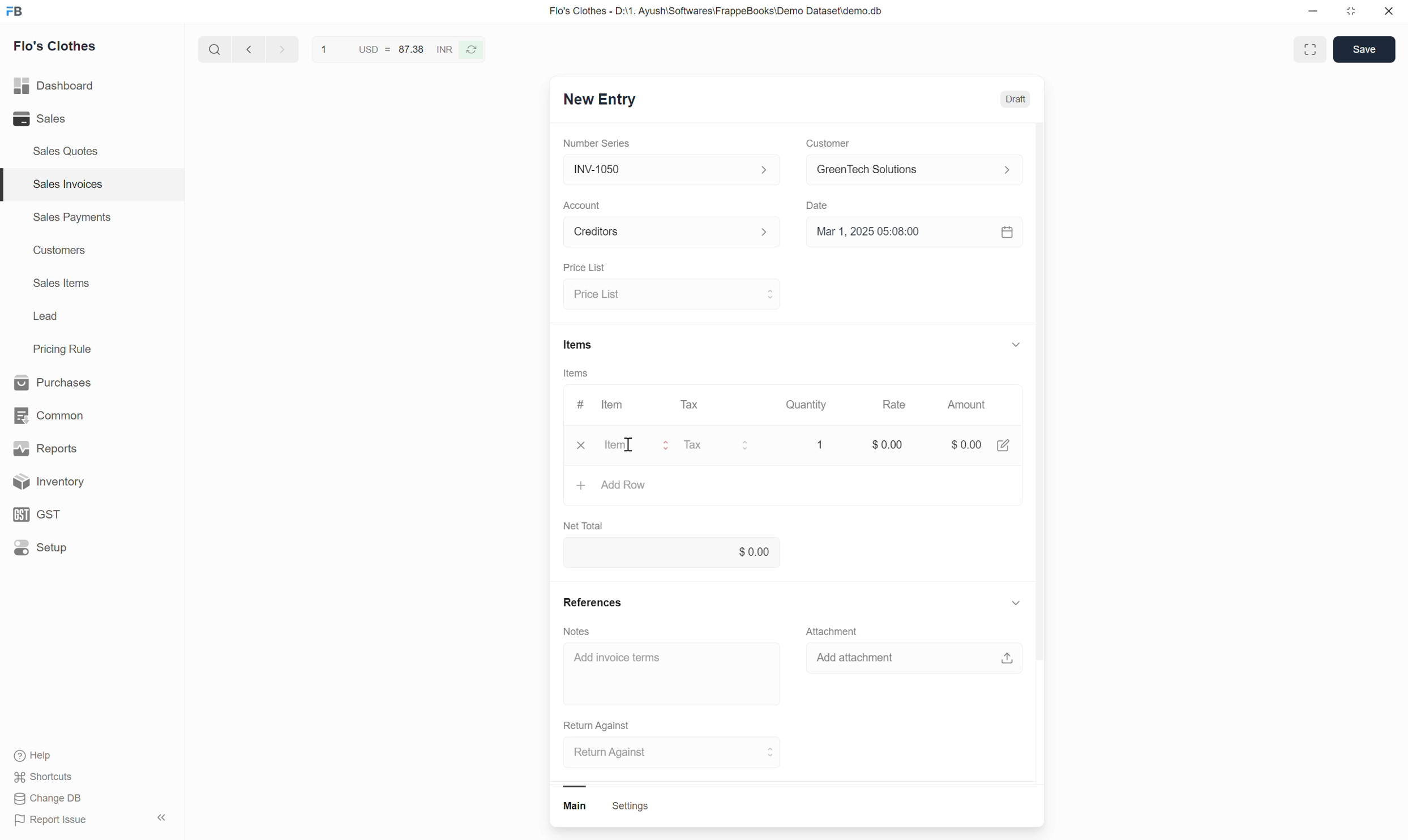 The width and height of the screenshot is (1408, 840). What do you see at coordinates (598, 144) in the screenshot?
I see `Number Series` at bounding box center [598, 144].